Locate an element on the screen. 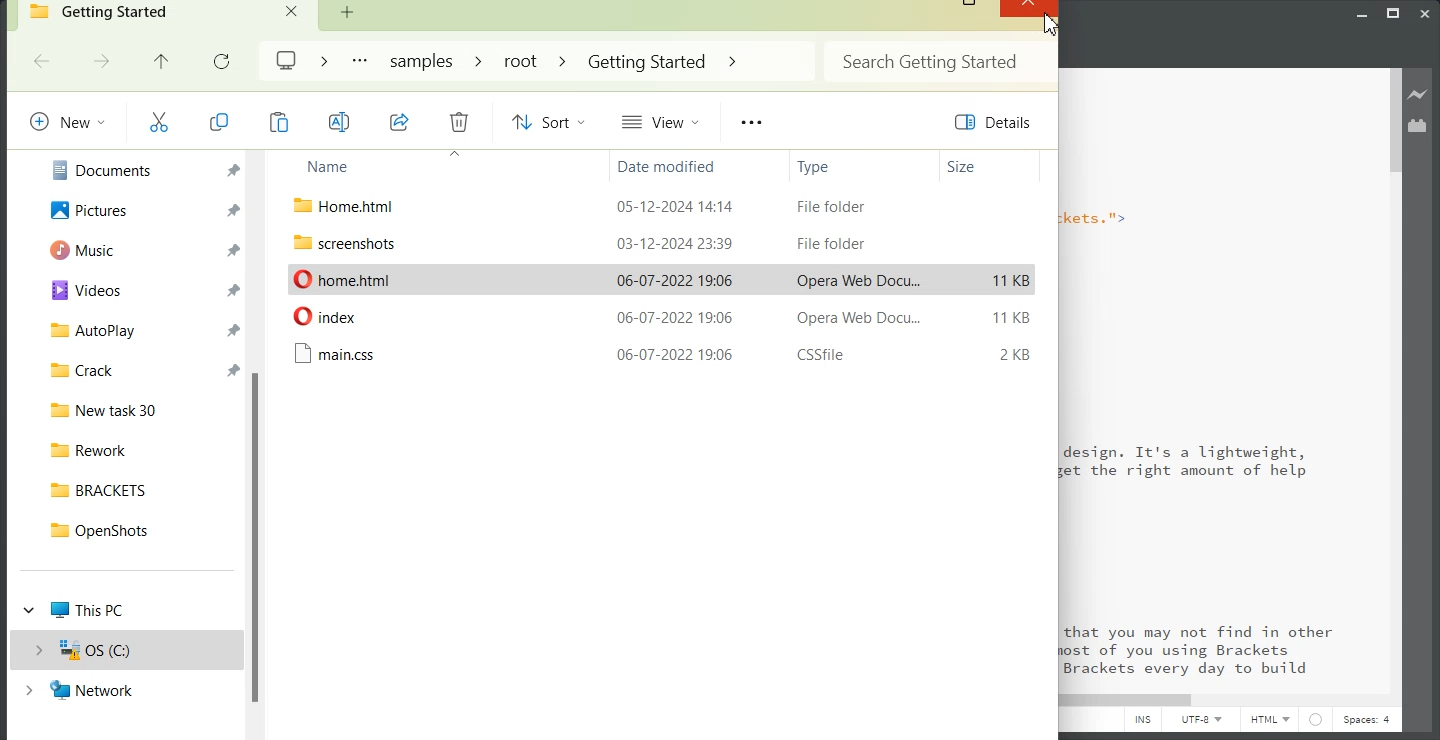  This PC  is located at coordinates (127, 610).